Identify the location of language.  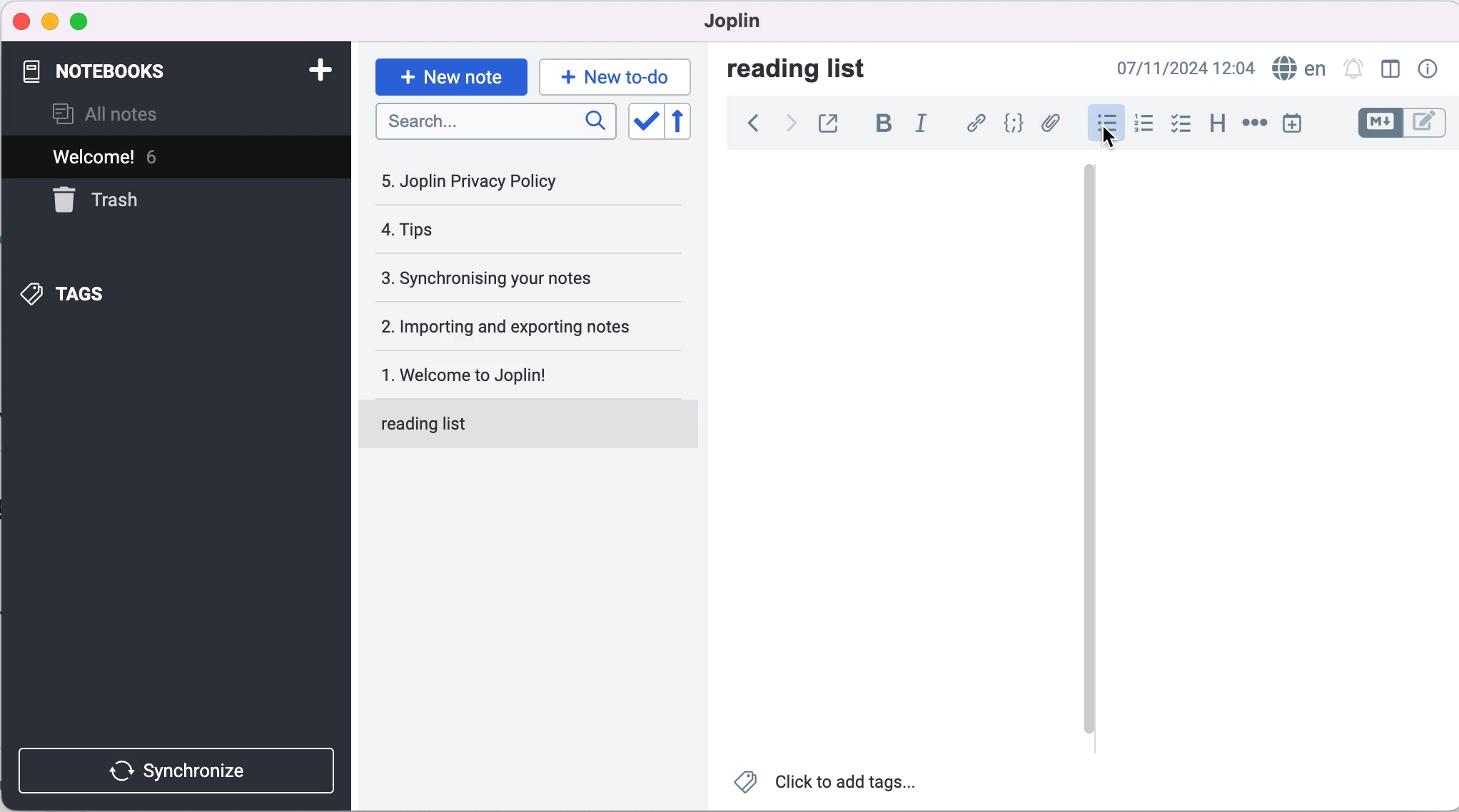
(1298, 68).